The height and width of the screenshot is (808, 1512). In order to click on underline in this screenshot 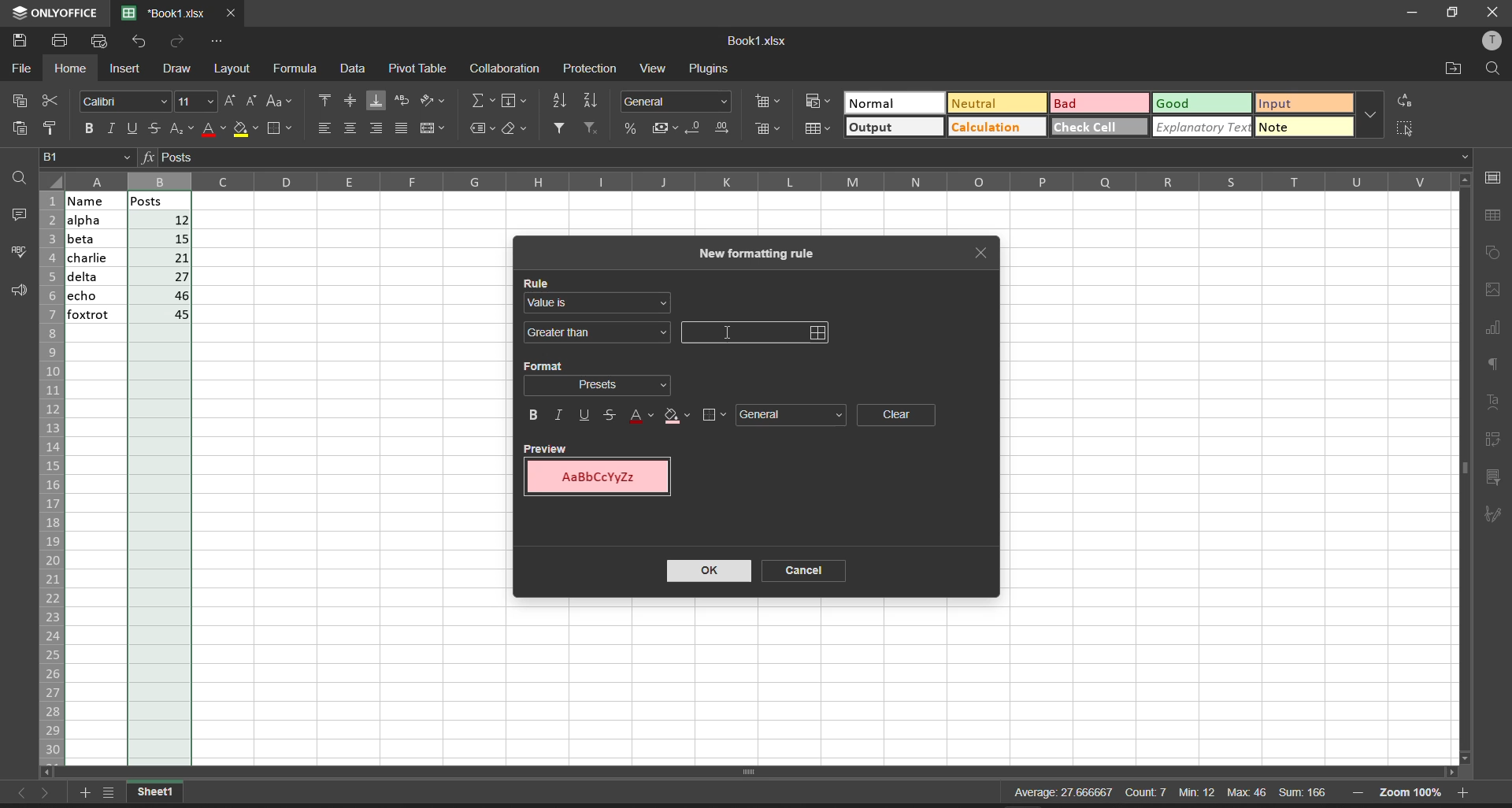, I will do `click(586, 414)`.